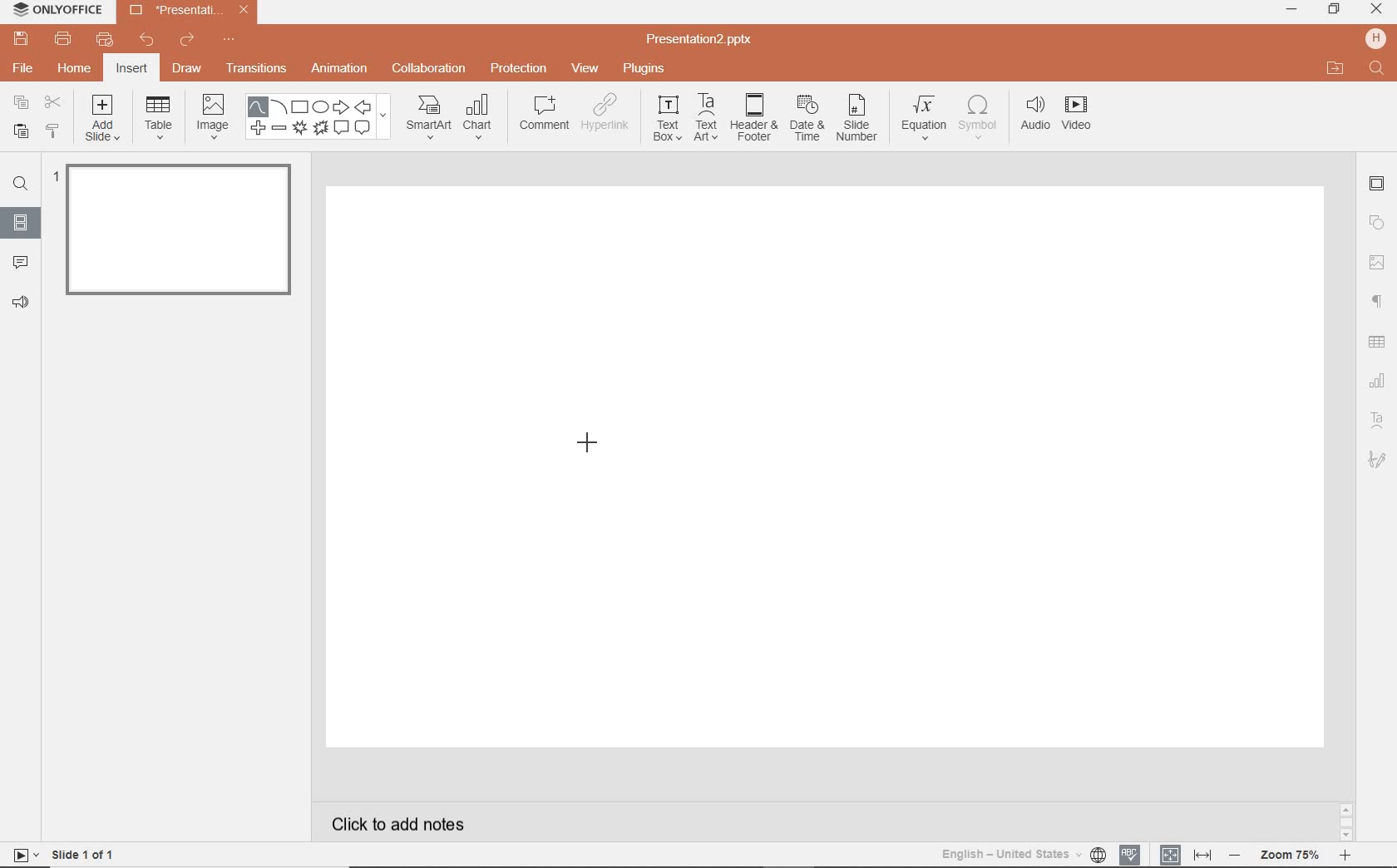 The image size is (1397, 868). Describe the element at coordinates (52, 131) in the screenshot. I see `COPY STYLE` at that location.